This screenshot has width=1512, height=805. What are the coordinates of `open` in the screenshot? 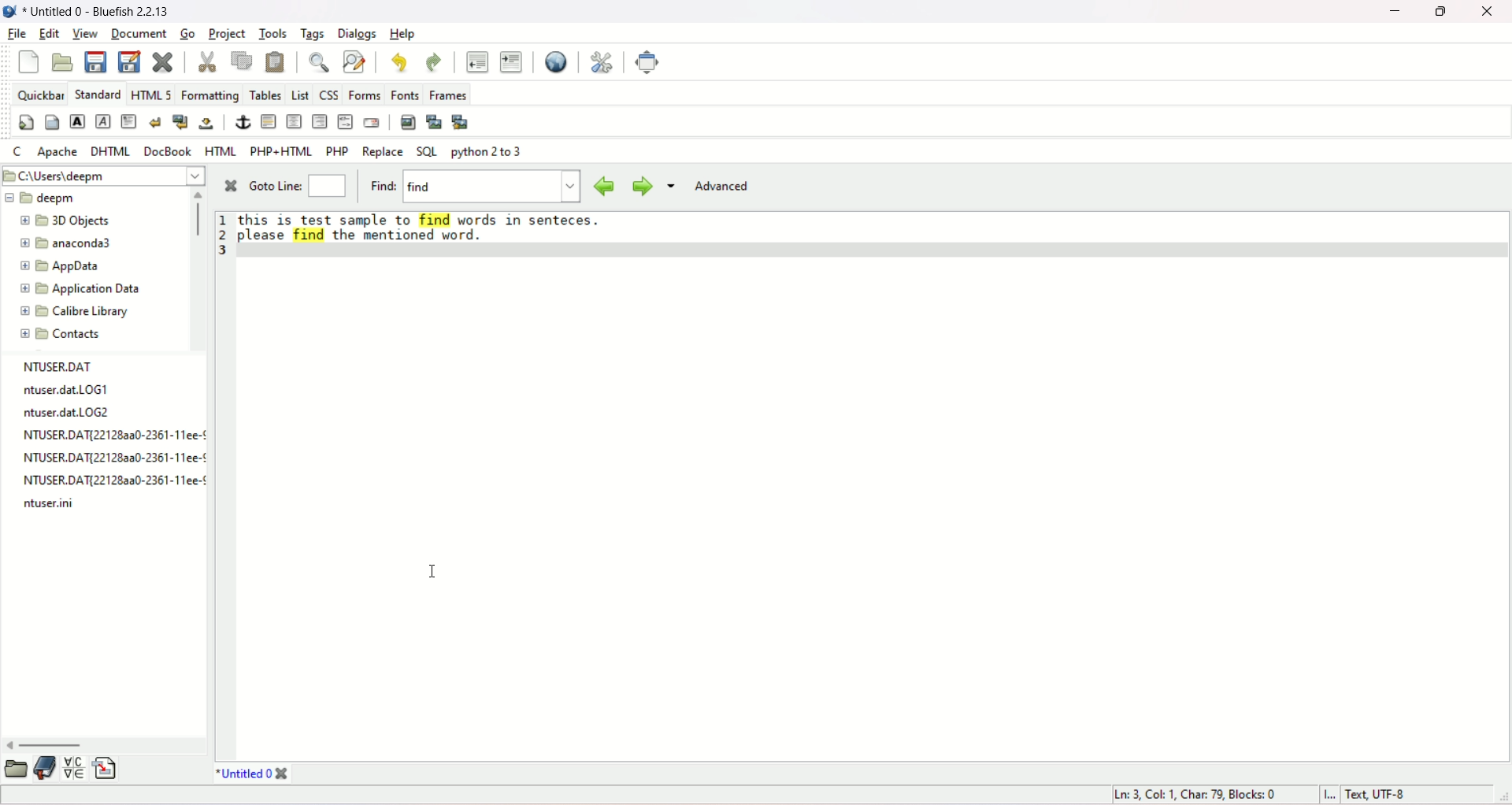 It's located at (62, 62).